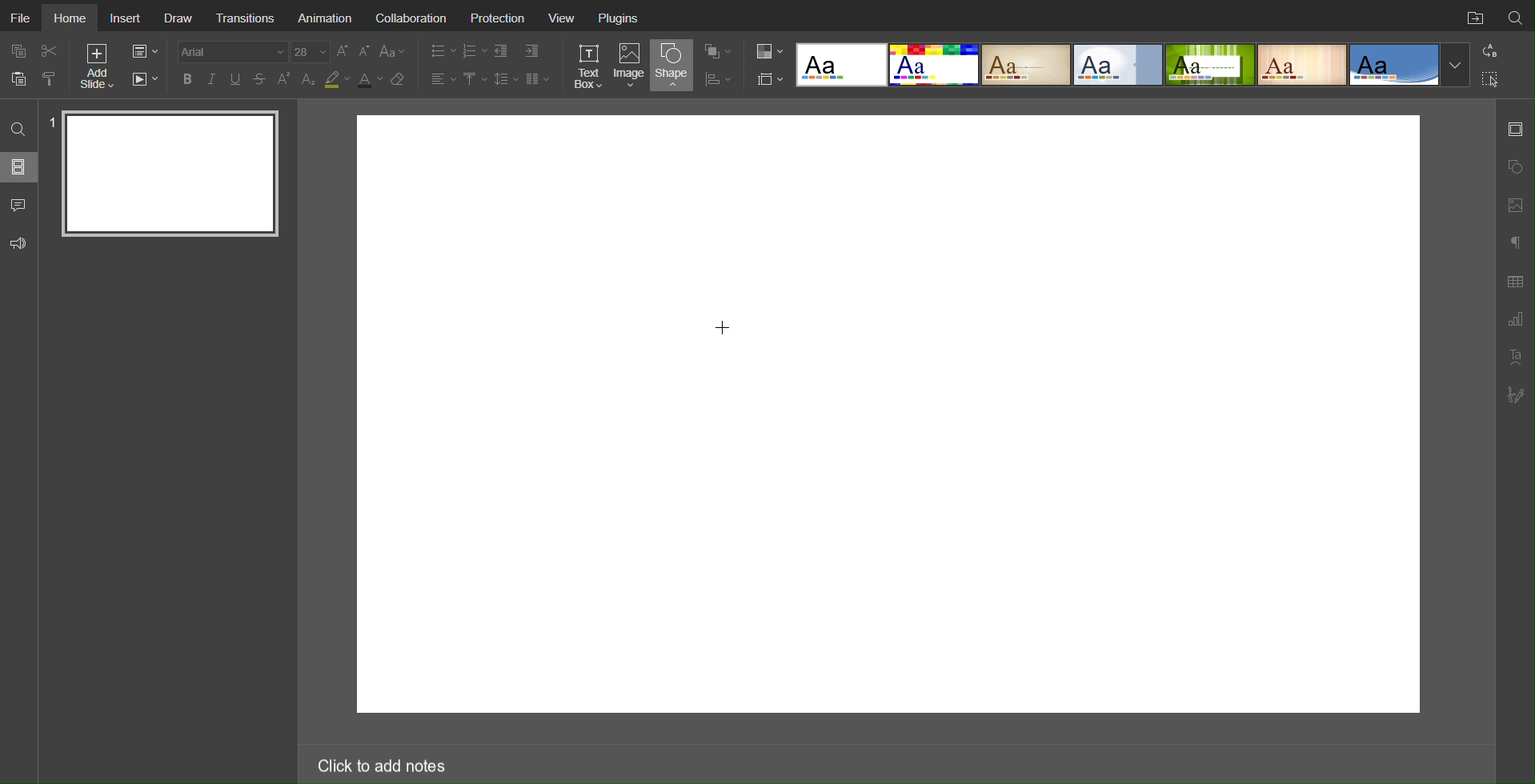  What do you see at coordinates (631, 66) in the screenshot?
I see `Image` at bounding box center [631, 66].